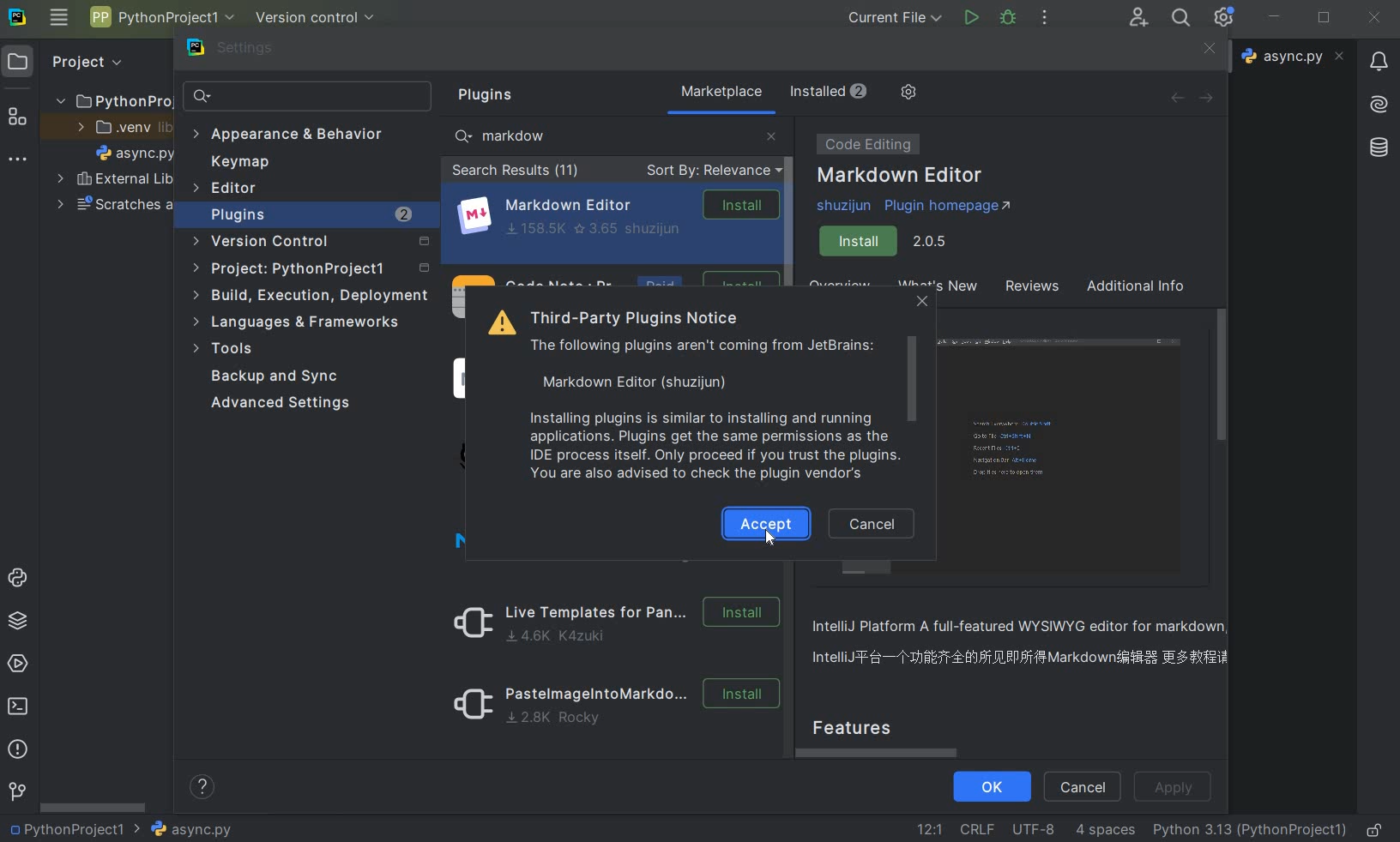 The height and width of the screenshot is (842, 1400). What do you see at coordinates (492, 95) in the screenshot?
I see `plugins` at bounding box center [492, 95].